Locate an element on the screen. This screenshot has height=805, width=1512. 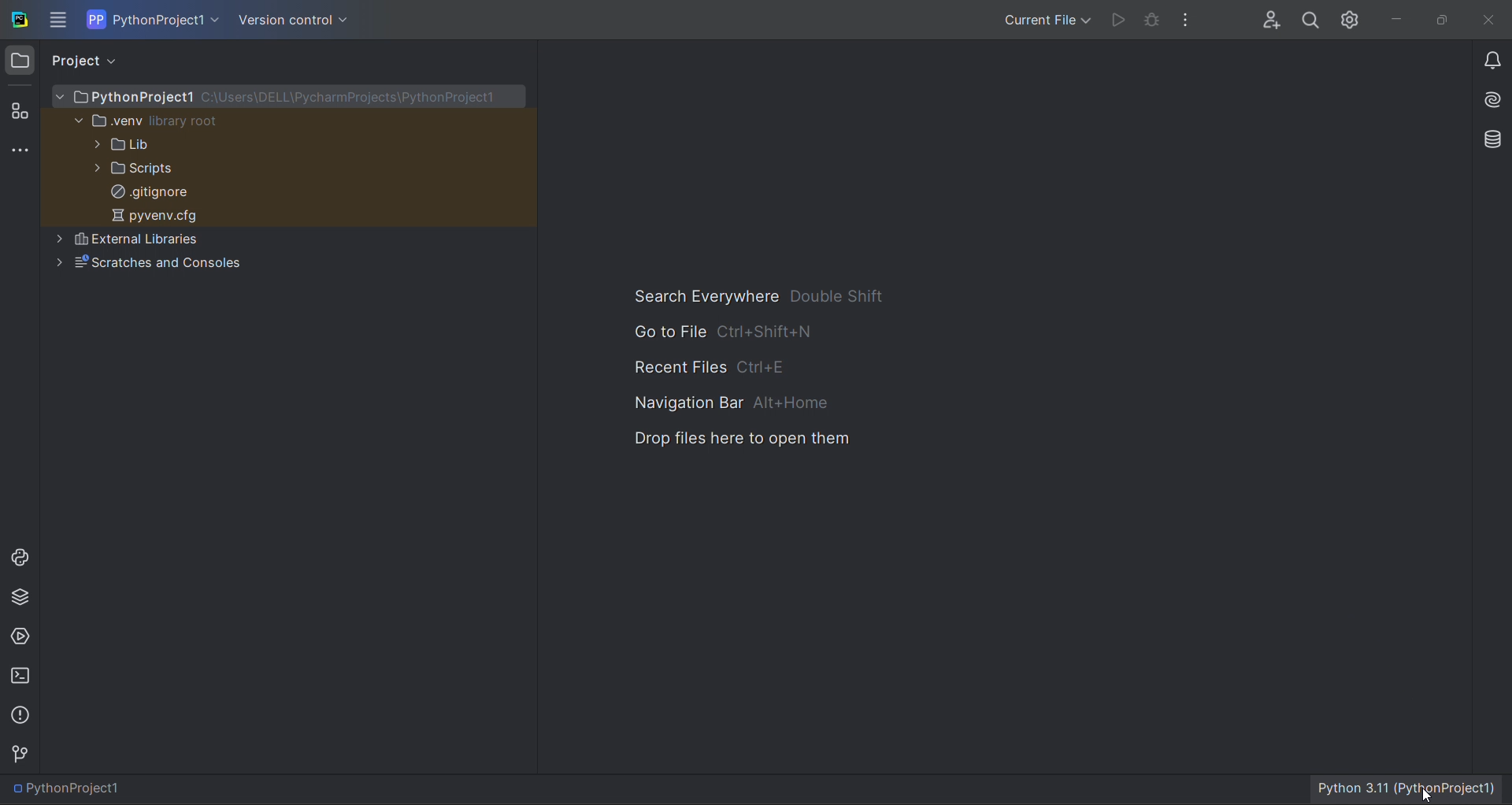
file tree is located at coordinates (289, 184).